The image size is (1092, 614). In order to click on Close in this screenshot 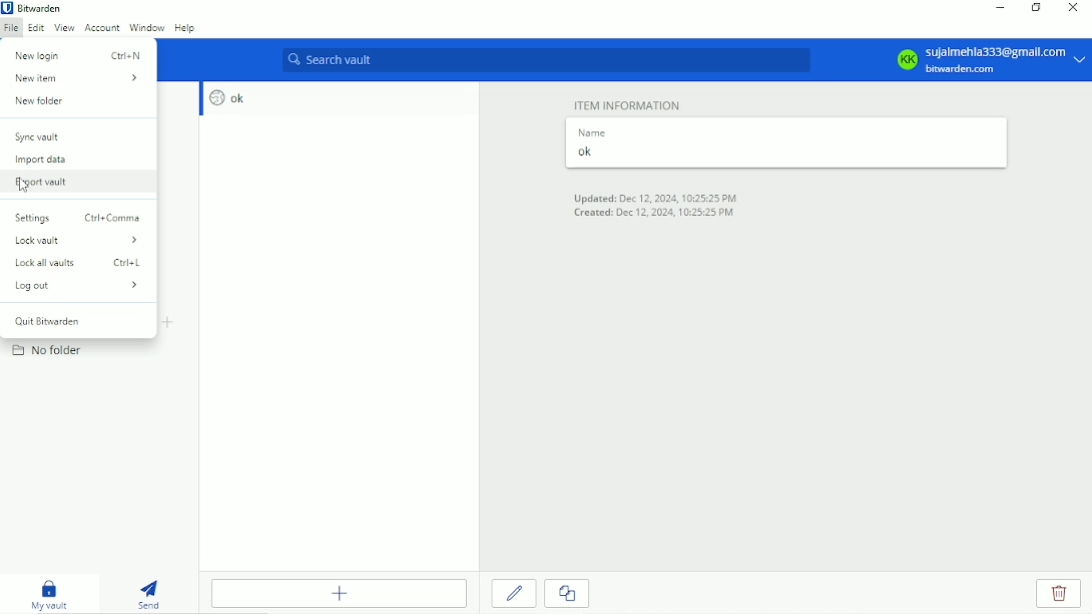, I will do `click(1071, 9)`.